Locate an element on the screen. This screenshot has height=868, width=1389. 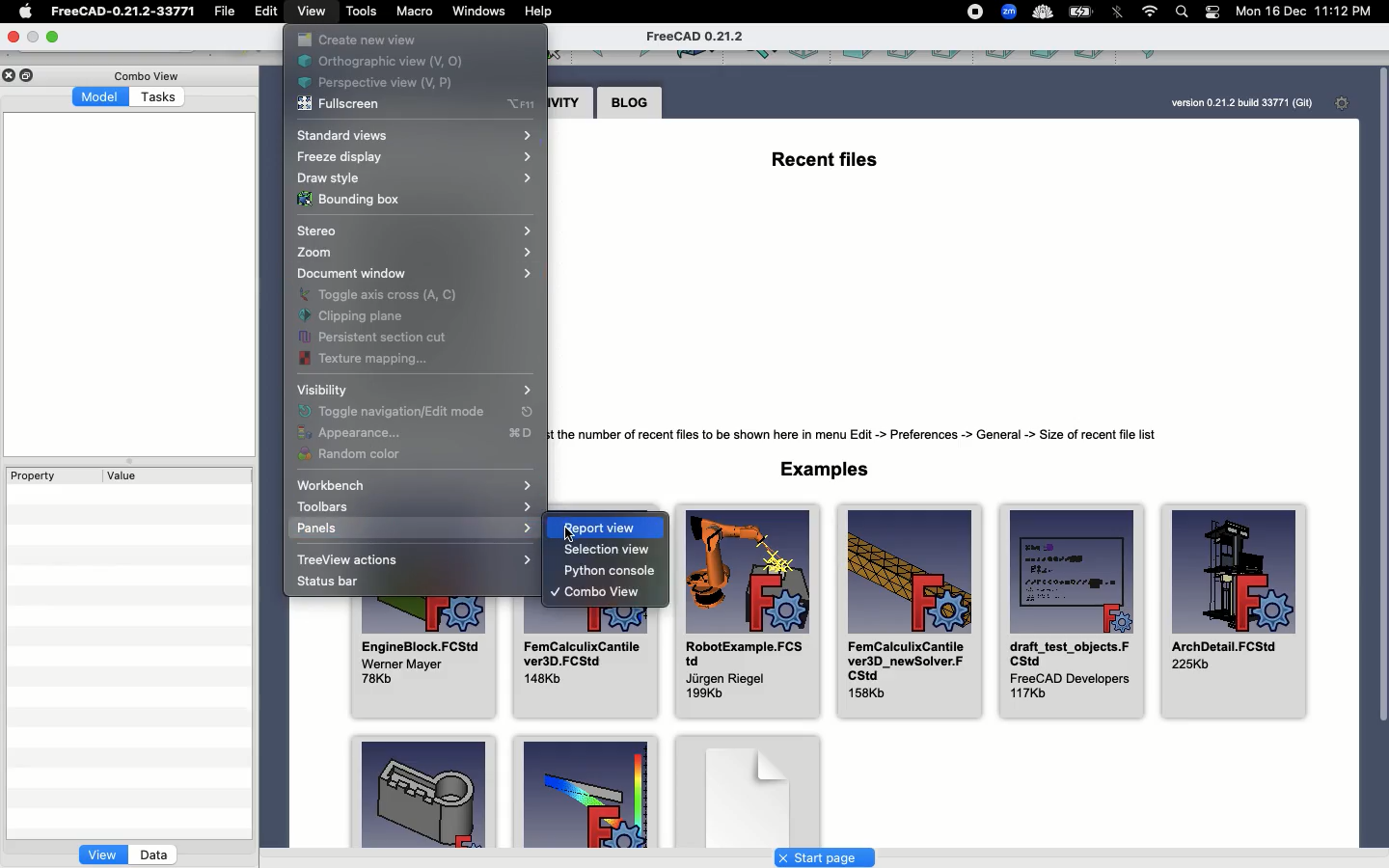
Scroll is located at coordinates (1380, 453).